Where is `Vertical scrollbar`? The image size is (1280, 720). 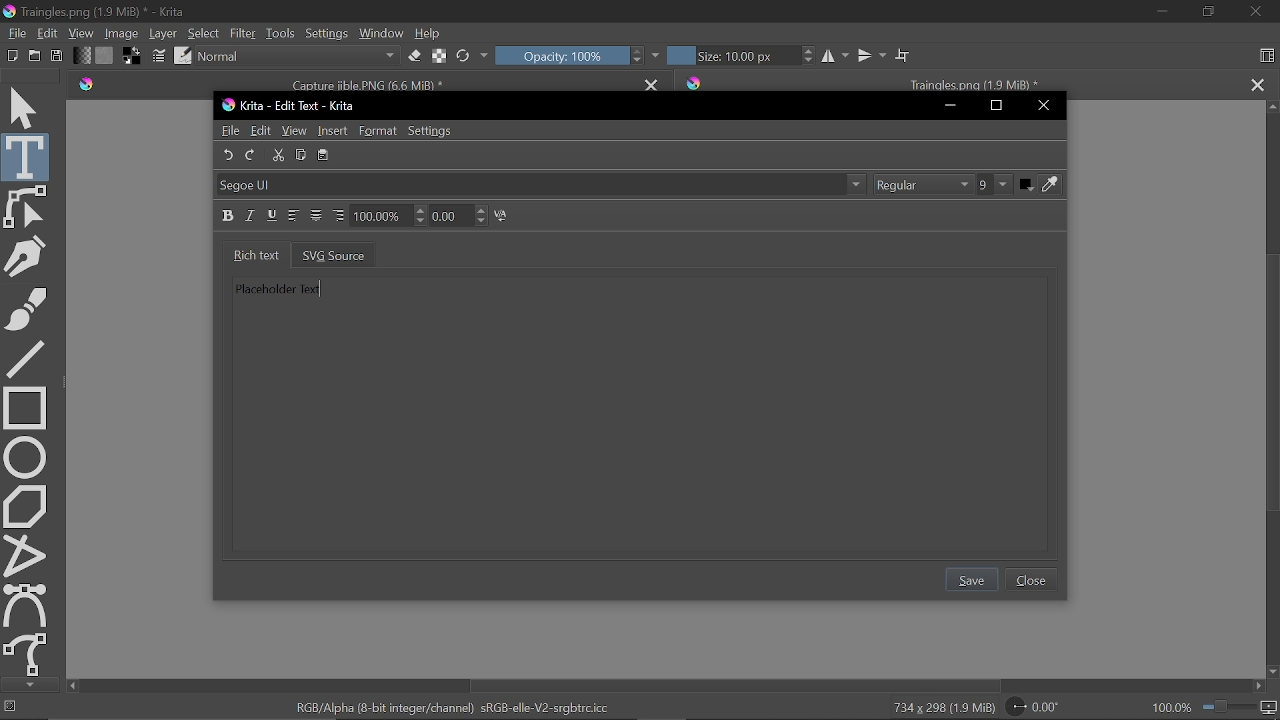 Vertical scrollbar is located at coordinates (1270, 384).